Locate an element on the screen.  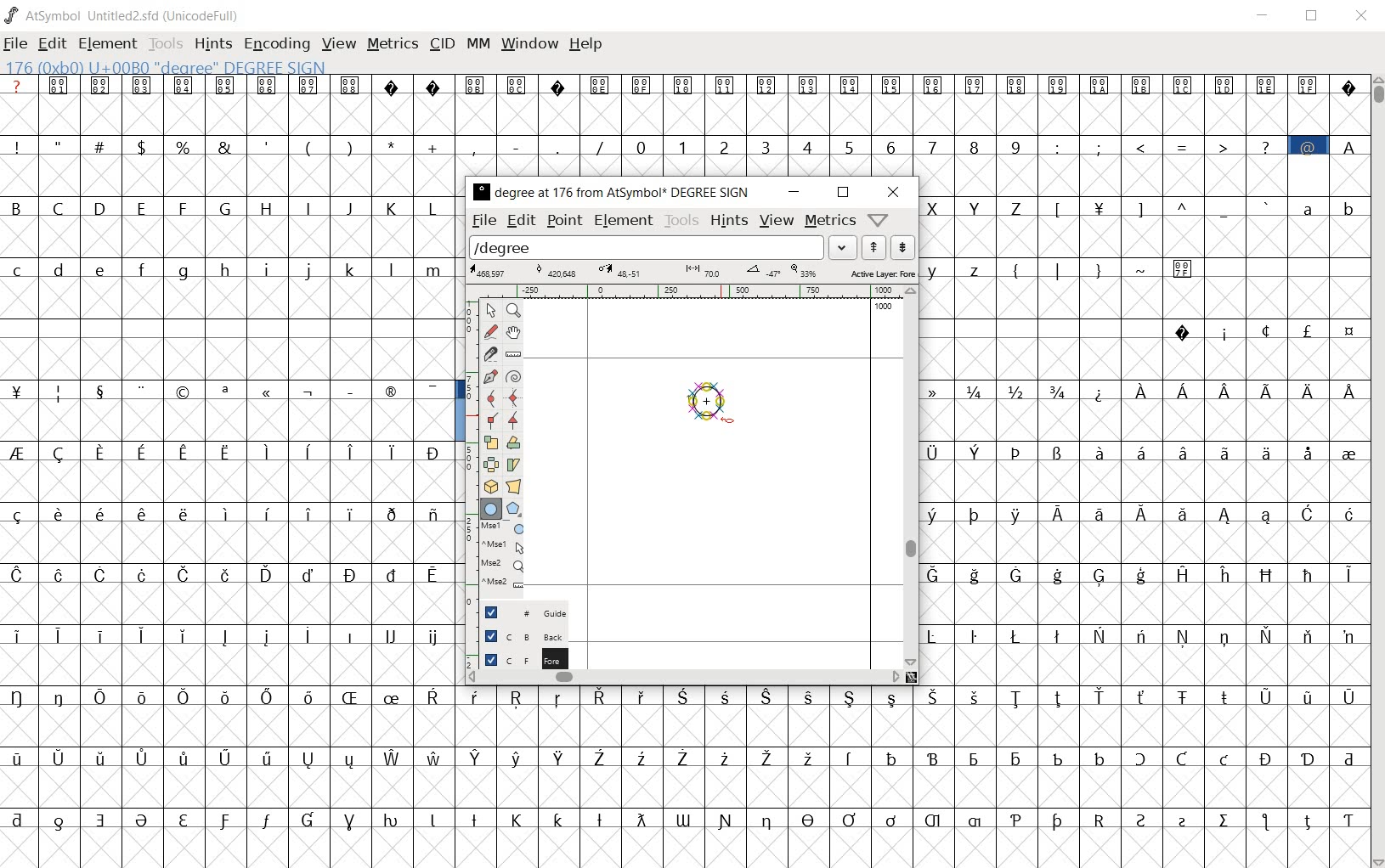
scrollbar is located at coordinates (683, 679).